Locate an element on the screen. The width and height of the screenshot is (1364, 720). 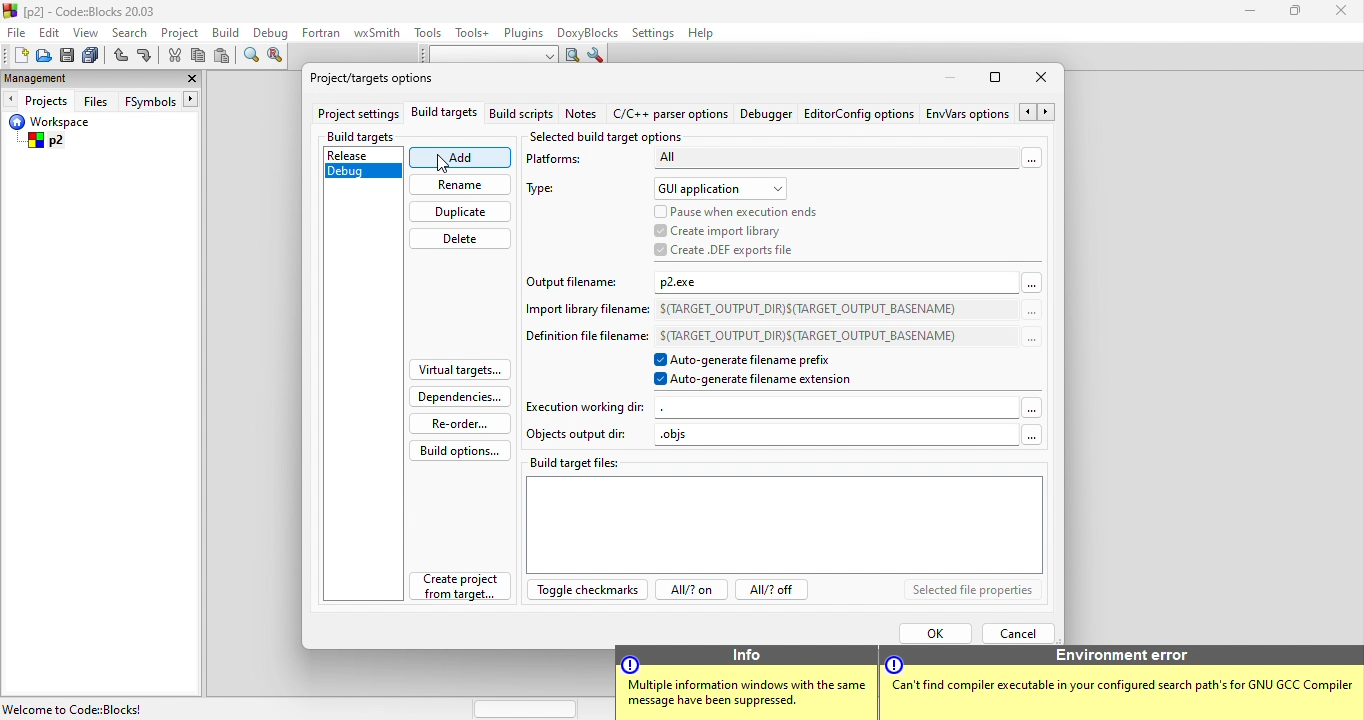
edit is located at coordinates (52, 31).